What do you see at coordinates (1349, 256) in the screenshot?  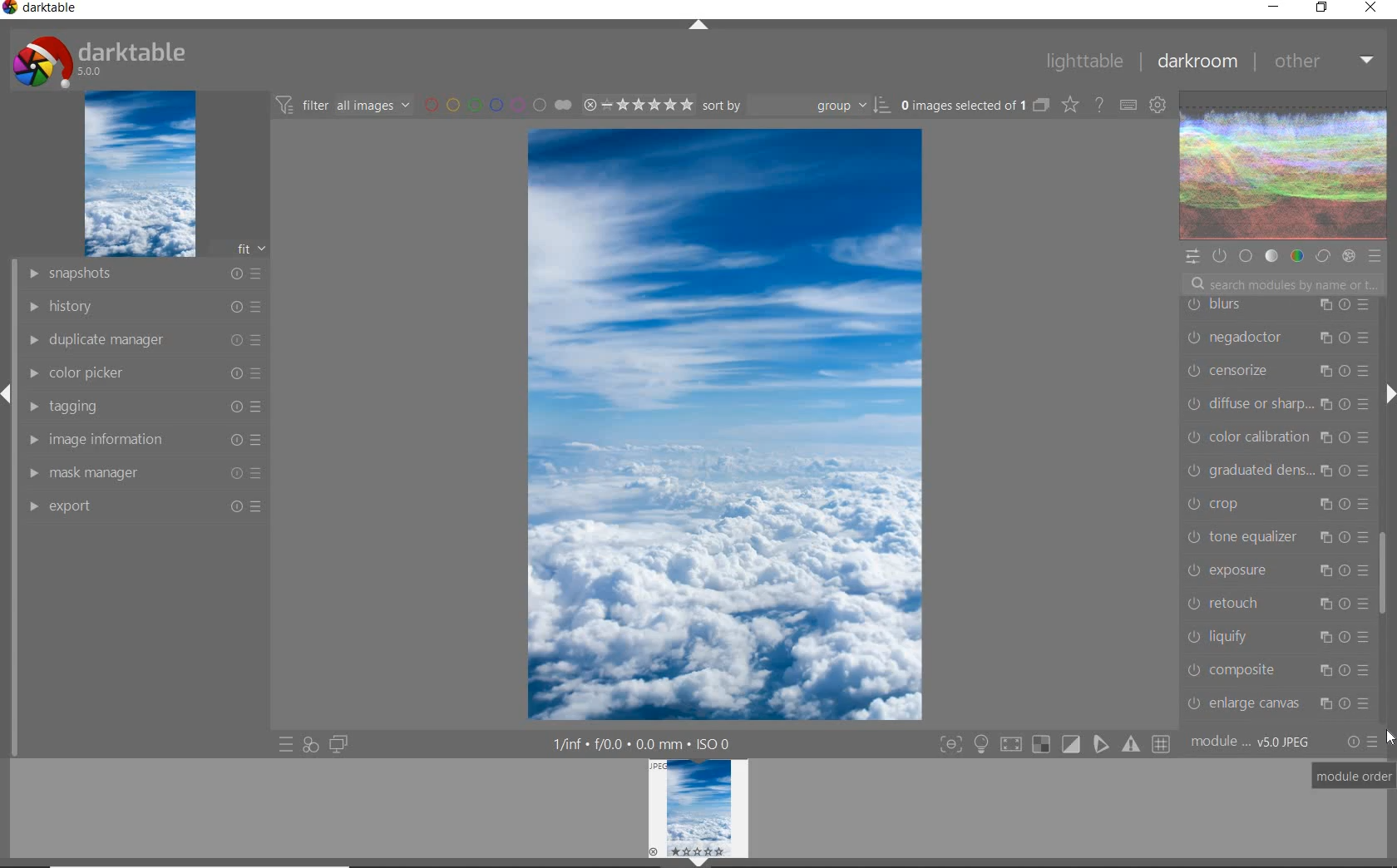 I see `EFFECT` at bounding box center [1349, 256].